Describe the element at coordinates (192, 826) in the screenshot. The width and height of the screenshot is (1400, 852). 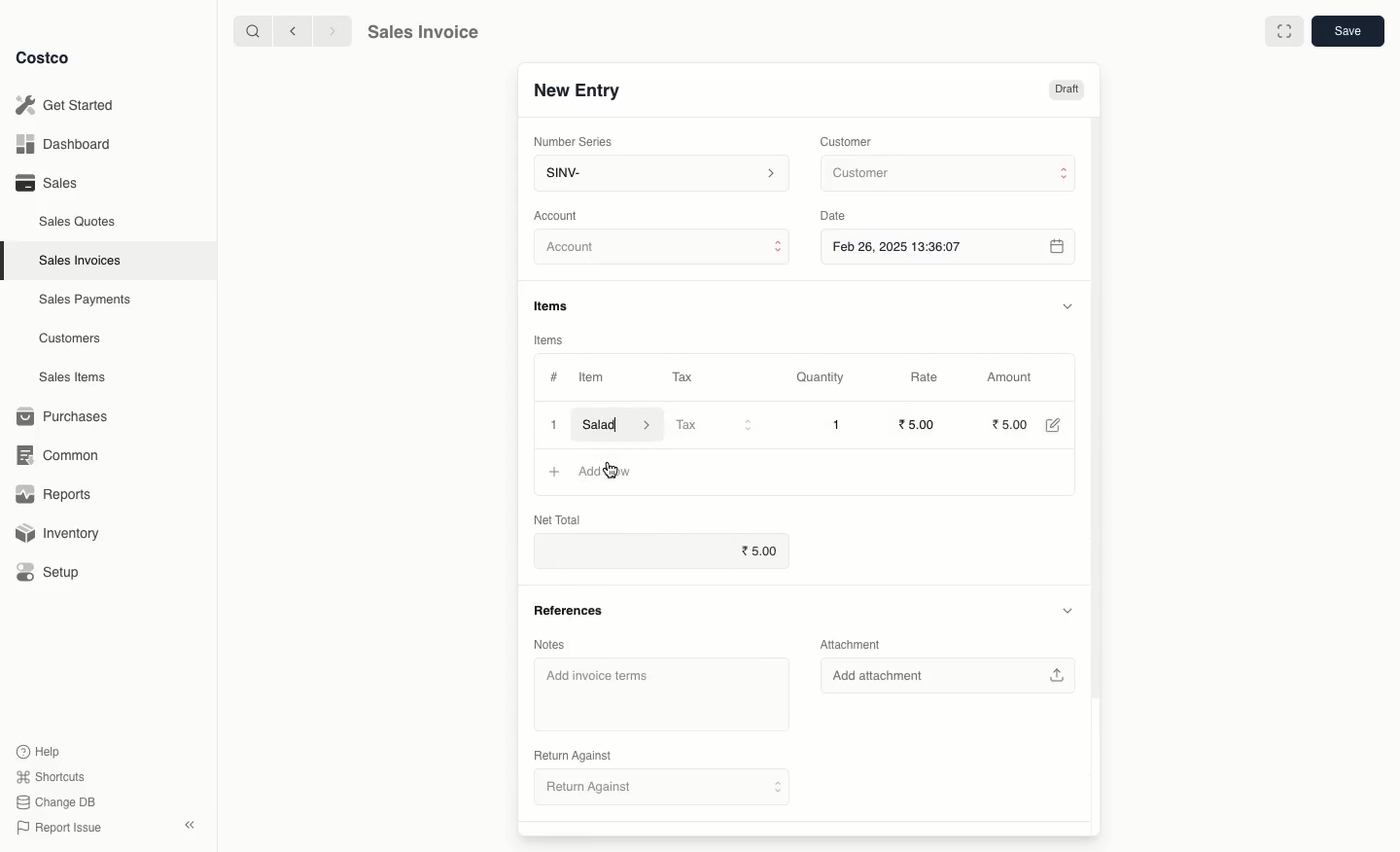
I see `Collapse` at that location.